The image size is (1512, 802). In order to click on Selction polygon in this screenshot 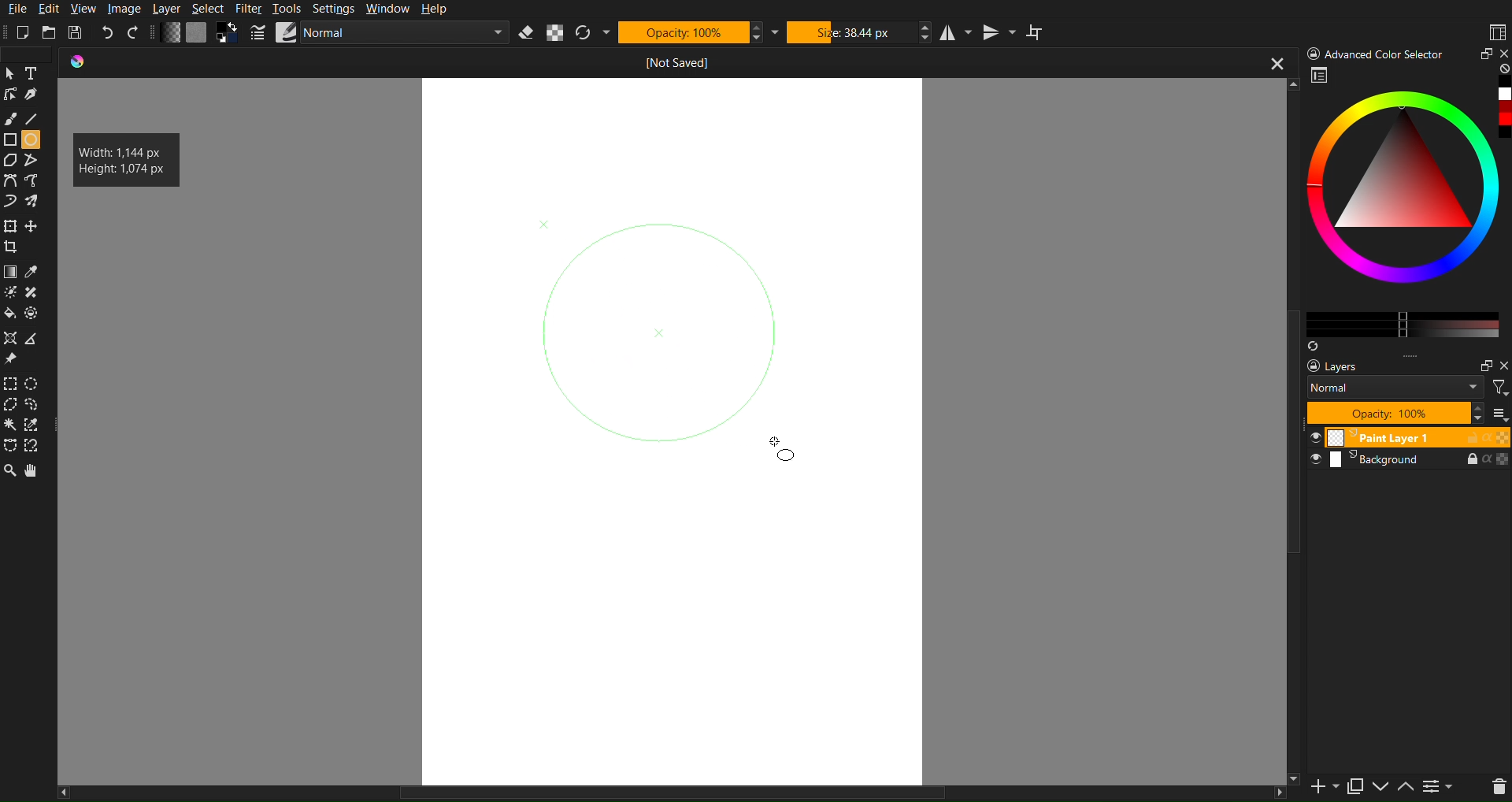, I will do `click(11, 405)`.